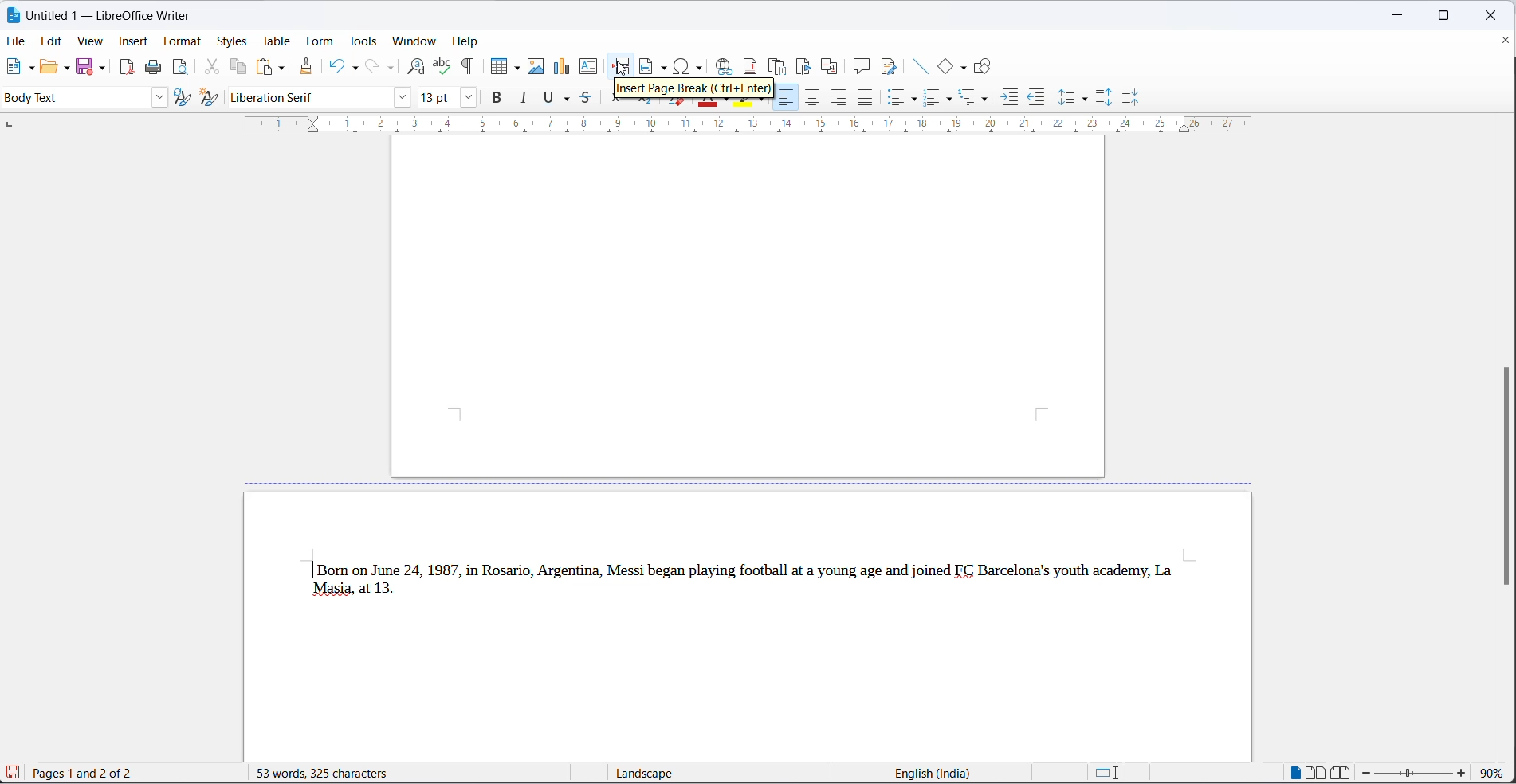 The height and width of the screenshot is (784, 1516). What do you see at coordinates (949, 101) in the screenshot?
I see `toggle ordered list options` at bounding box center [949, 101].